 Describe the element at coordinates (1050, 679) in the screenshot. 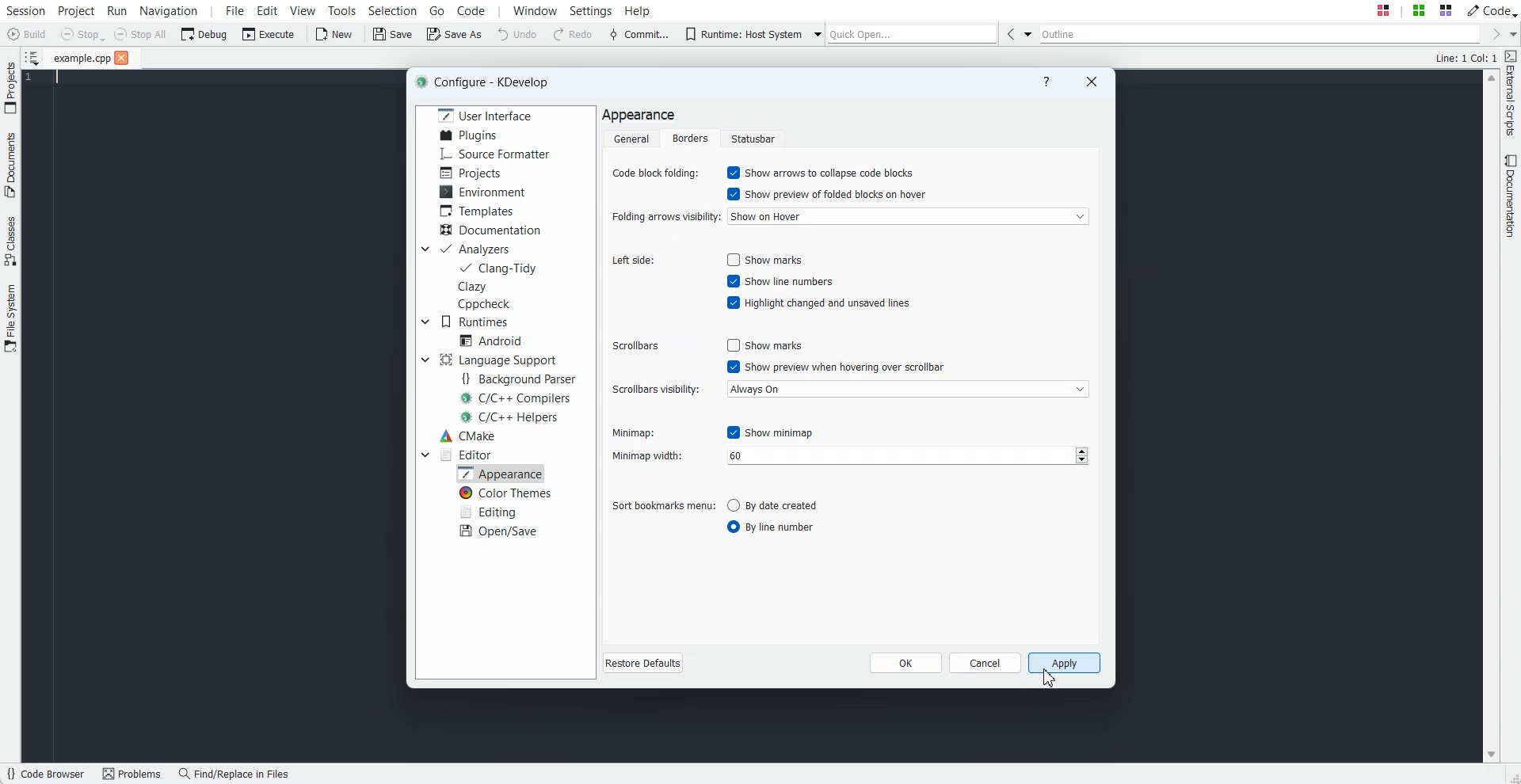

I see `Cursor` at that location.